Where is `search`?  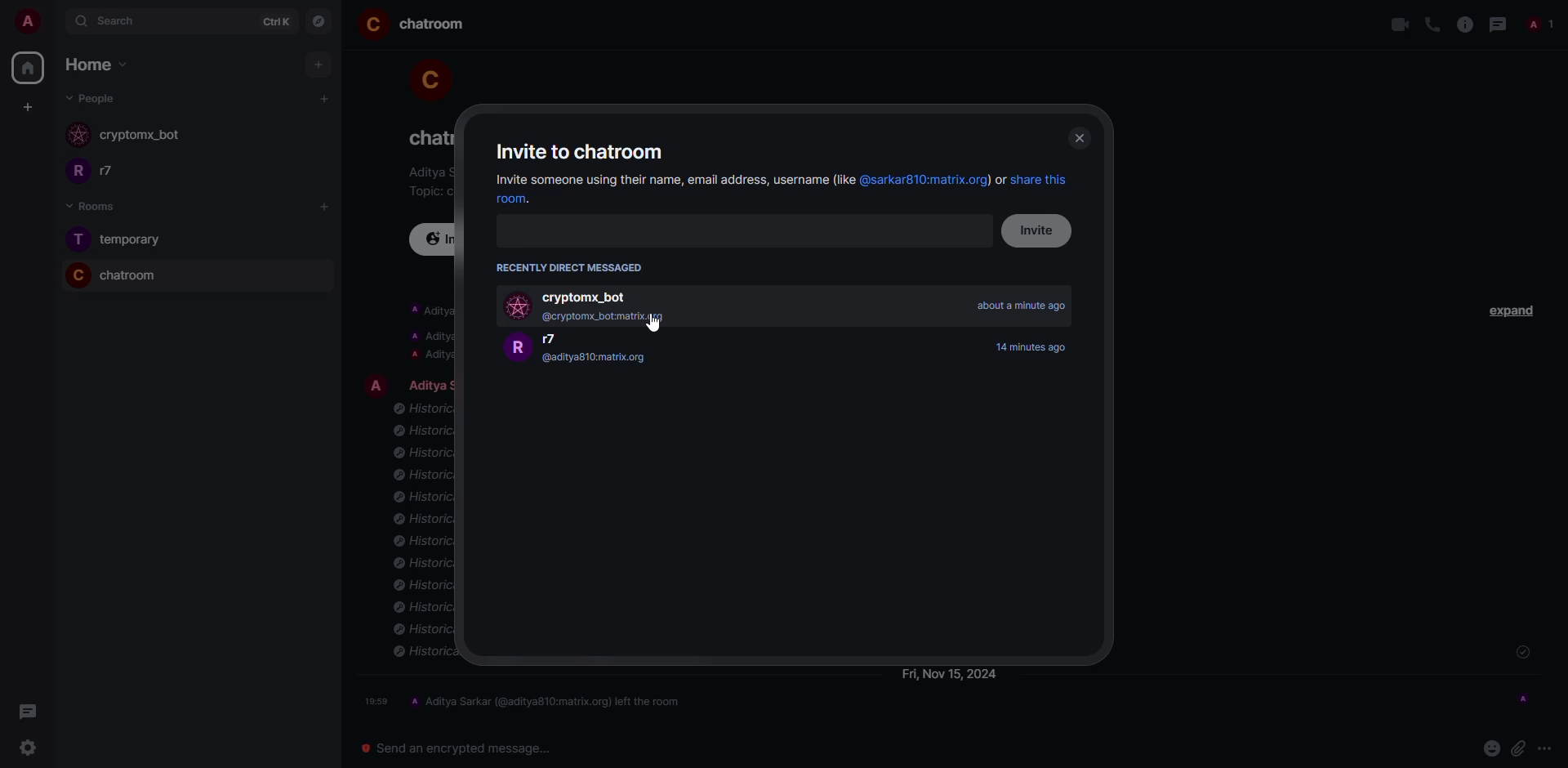 search is located at coordinates (122, 21).